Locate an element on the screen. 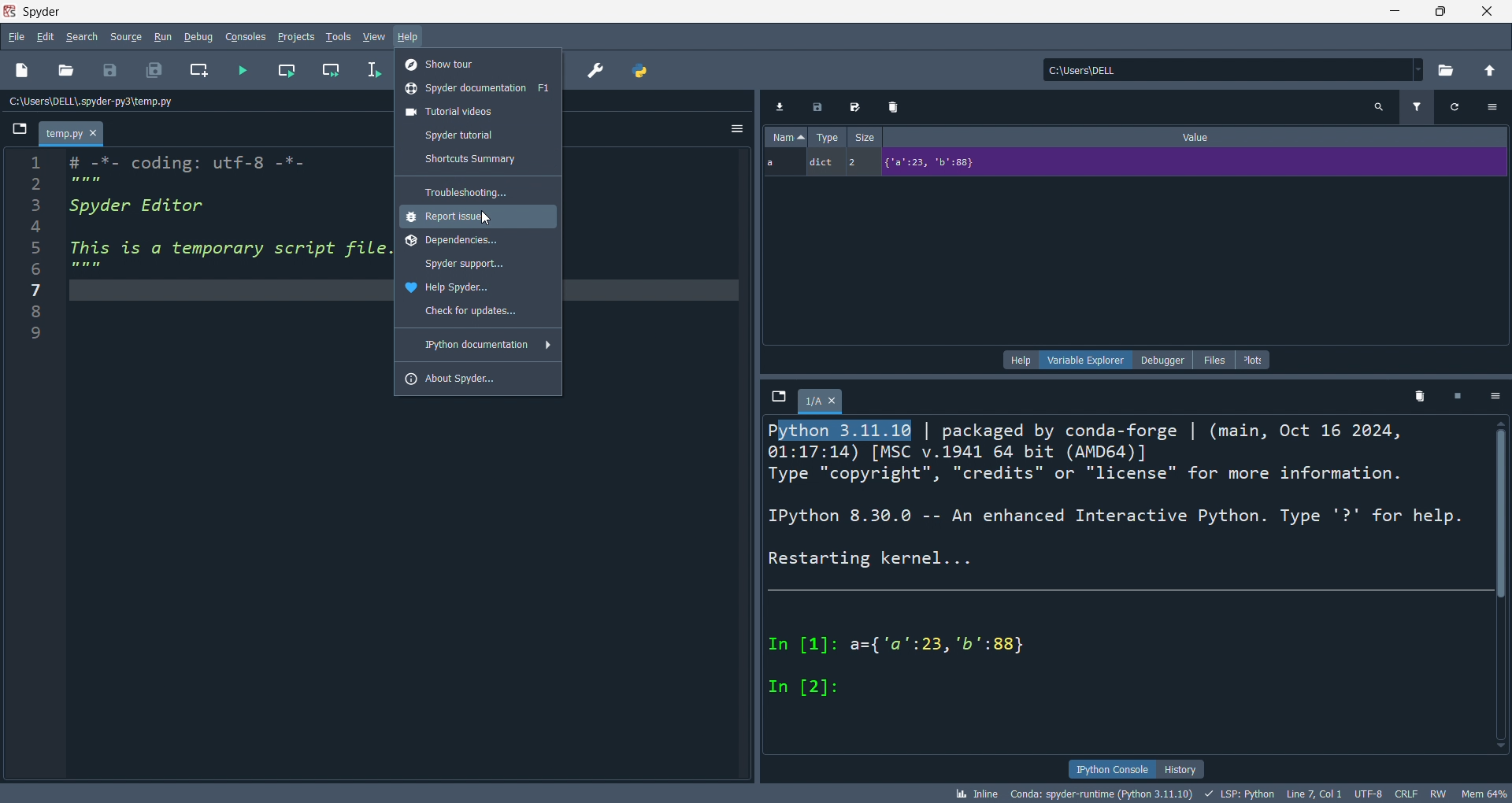  save is located at coordinates (111, 72).